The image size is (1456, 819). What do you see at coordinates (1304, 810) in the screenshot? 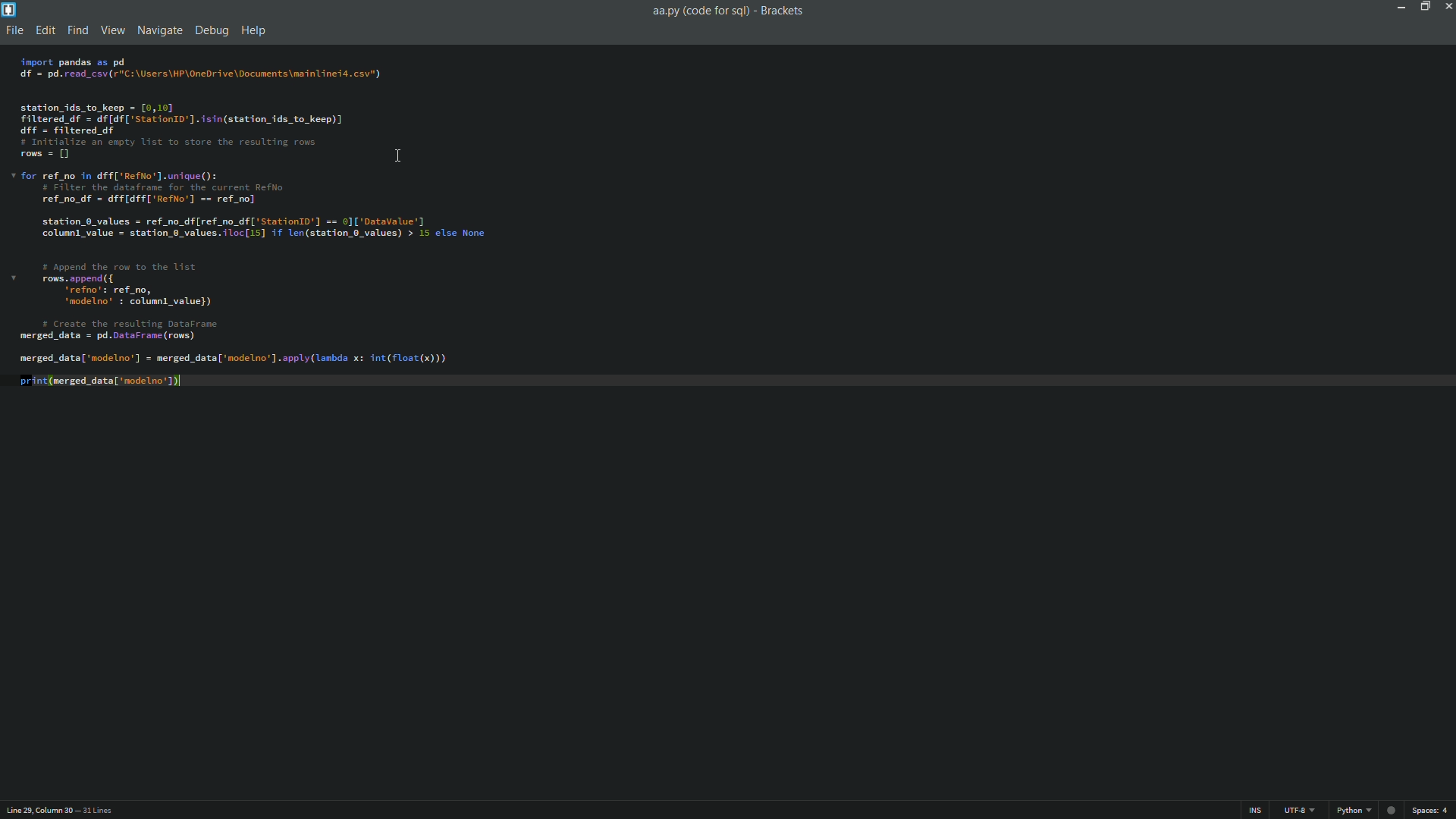
I see `file encoding` at bounding box center [1304, 810].